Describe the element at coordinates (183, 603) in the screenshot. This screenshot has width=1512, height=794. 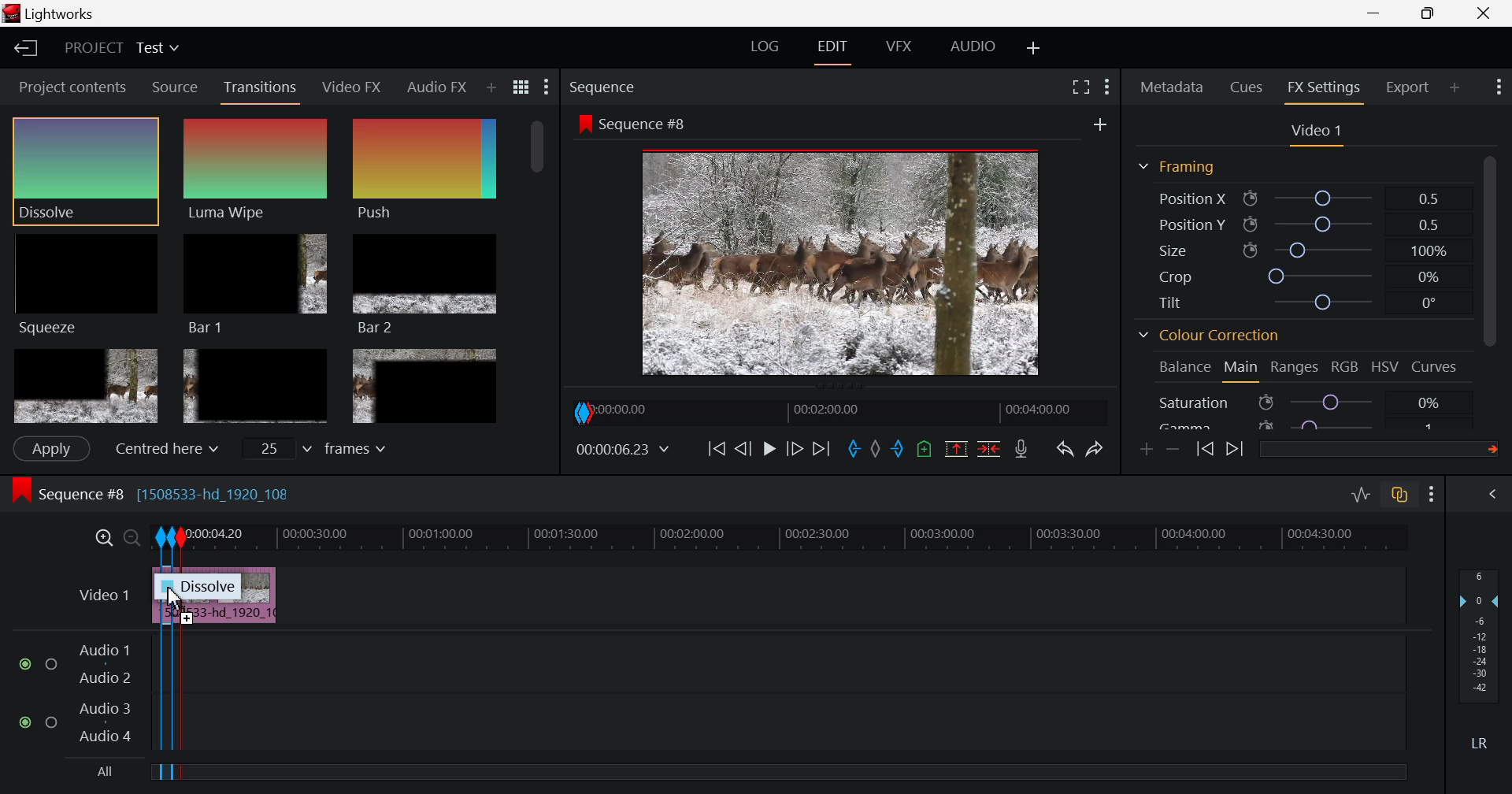
I see `Cursor` at that location.